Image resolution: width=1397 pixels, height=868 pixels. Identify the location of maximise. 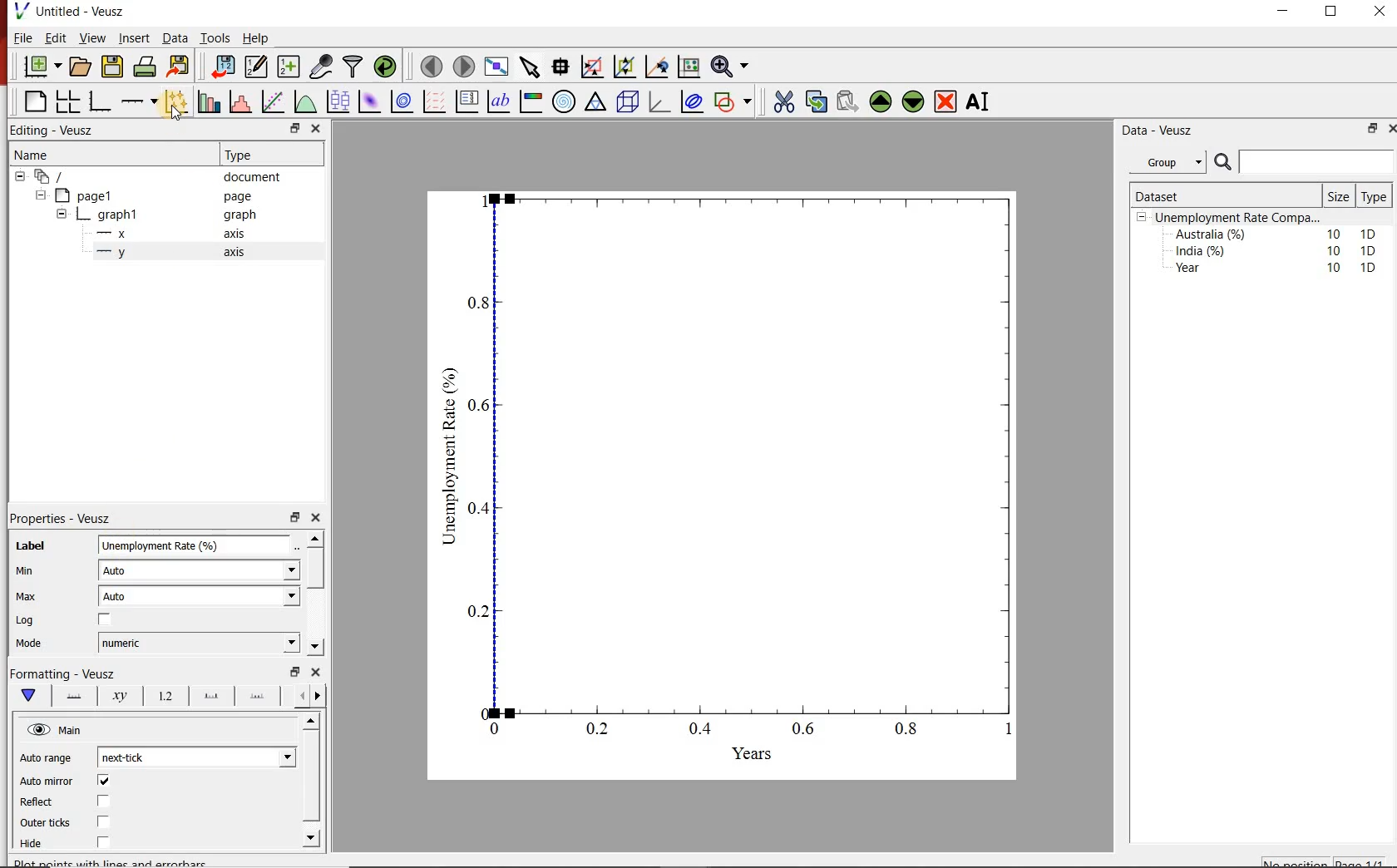
(1333, 15).